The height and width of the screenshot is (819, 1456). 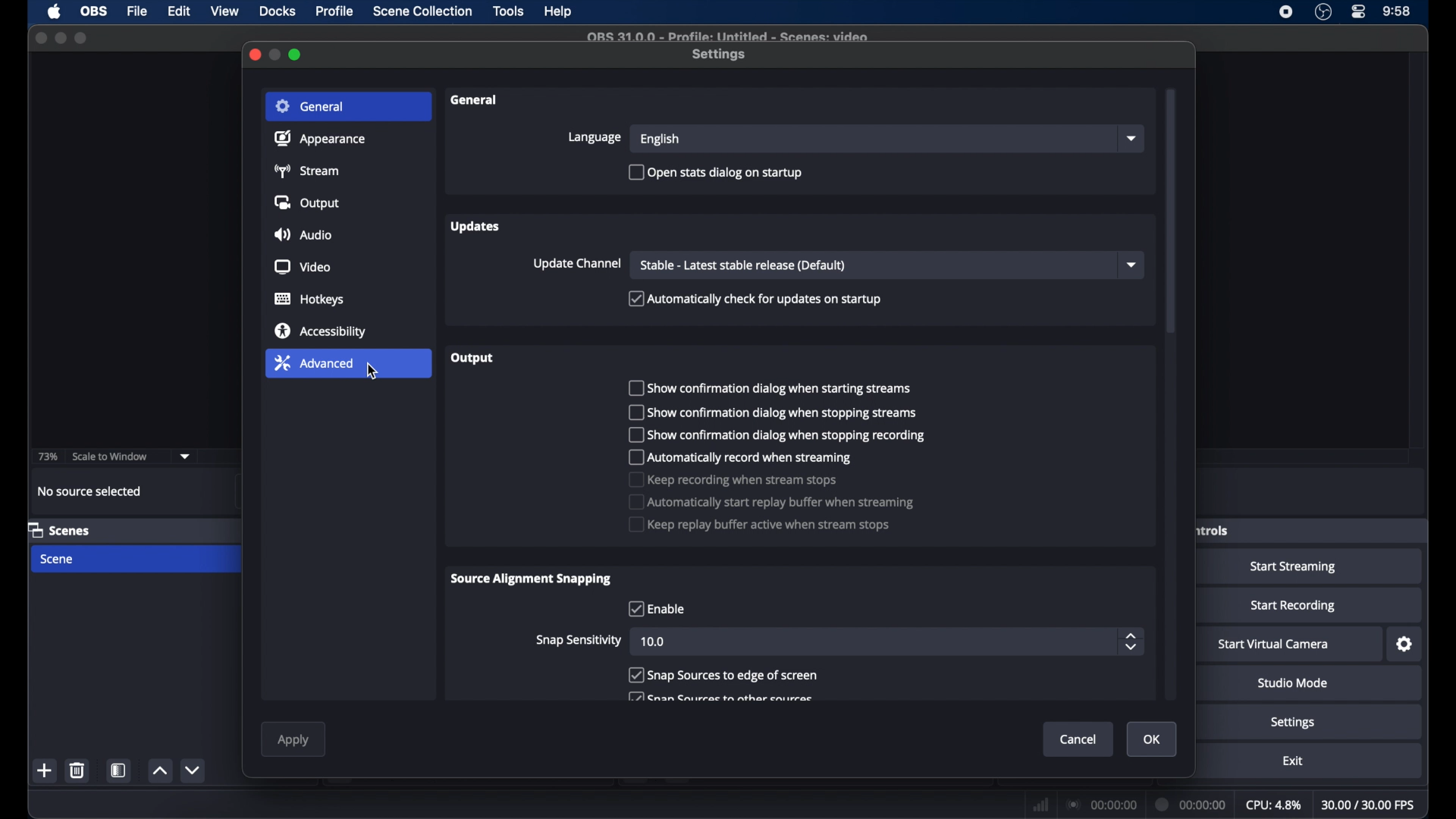 I want to click on tools, so click(x=510, y=12).